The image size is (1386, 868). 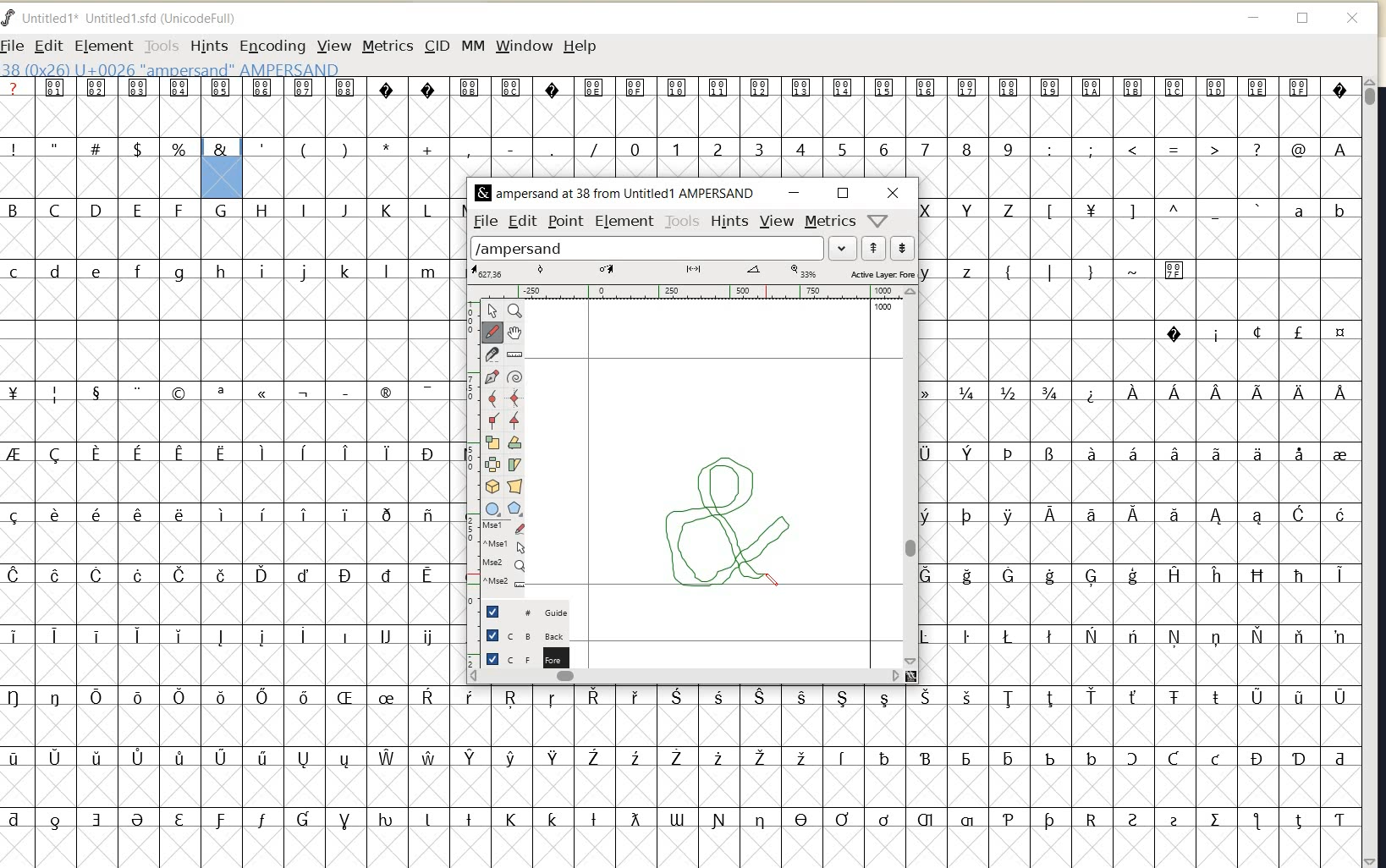 What do you see at coordinates (492, 397) in the screenshot?
I see `add a curve point` at bounding box center [492, 397].